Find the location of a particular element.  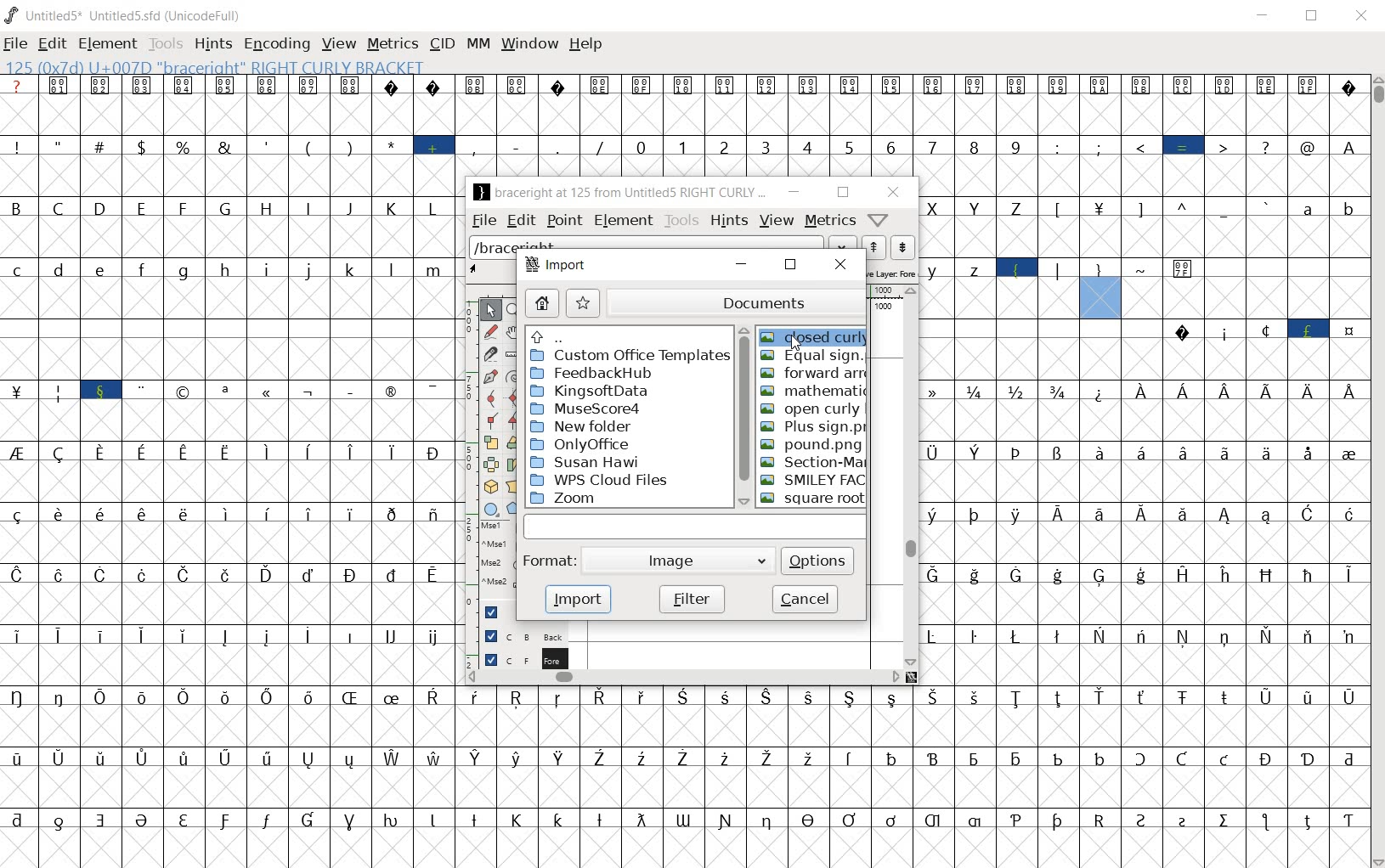

scrollbar is located at coordinates (684, 677).